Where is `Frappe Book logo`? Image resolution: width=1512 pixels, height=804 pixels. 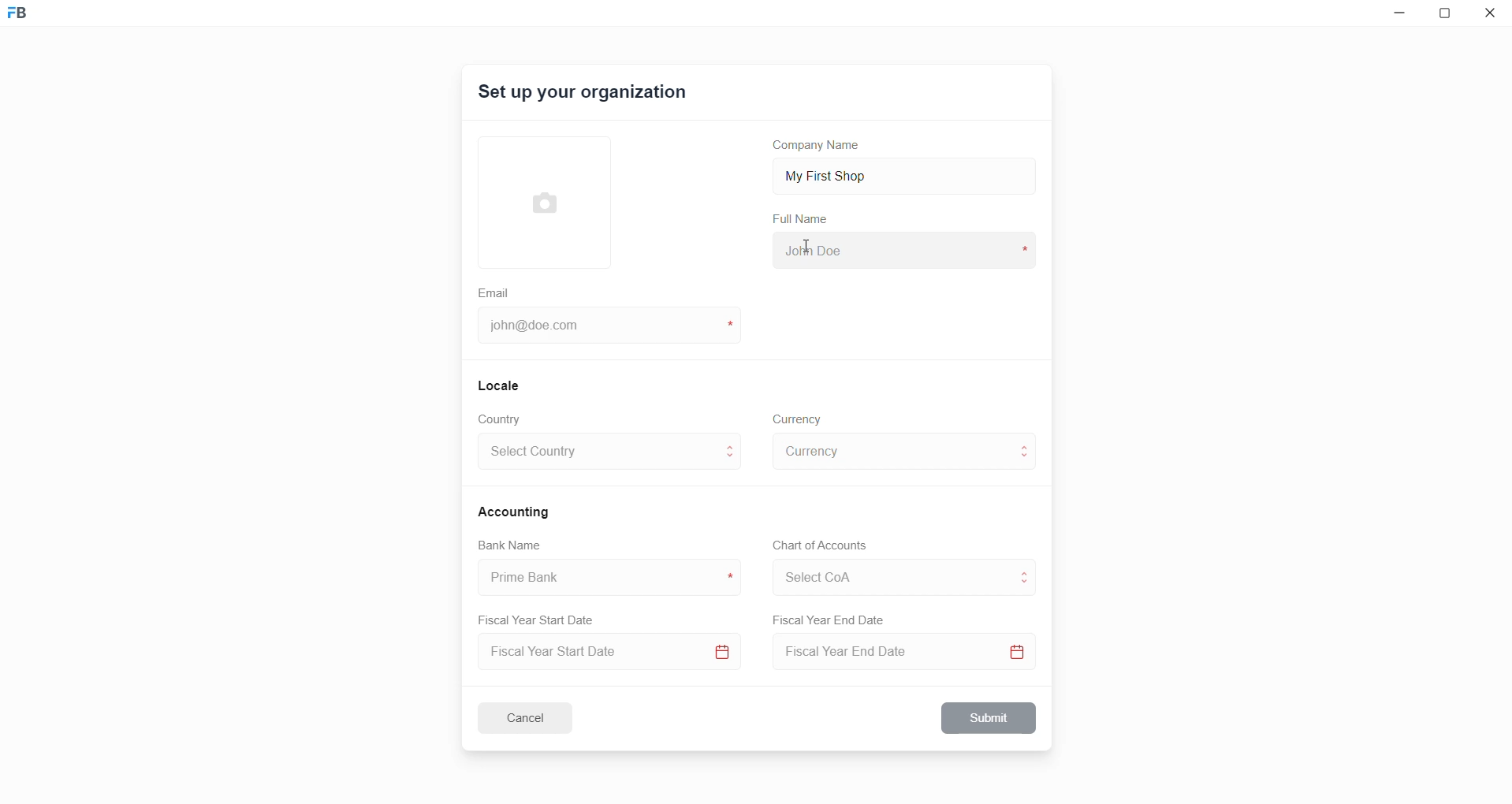 Frappe Book logo is located at coordinates (31, 20).